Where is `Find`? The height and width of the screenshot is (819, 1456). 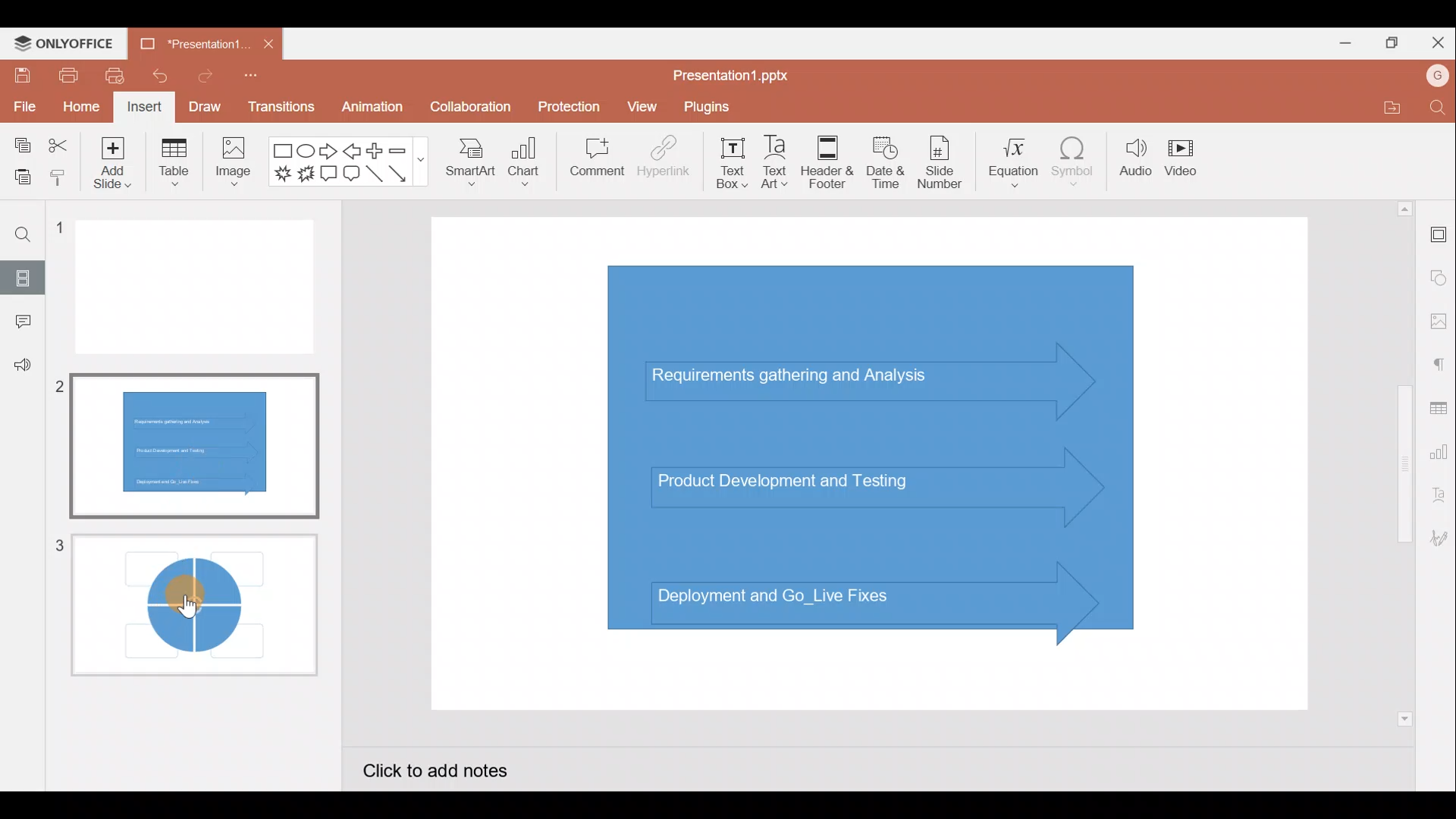 Find is located at coordinates (1435, 108).